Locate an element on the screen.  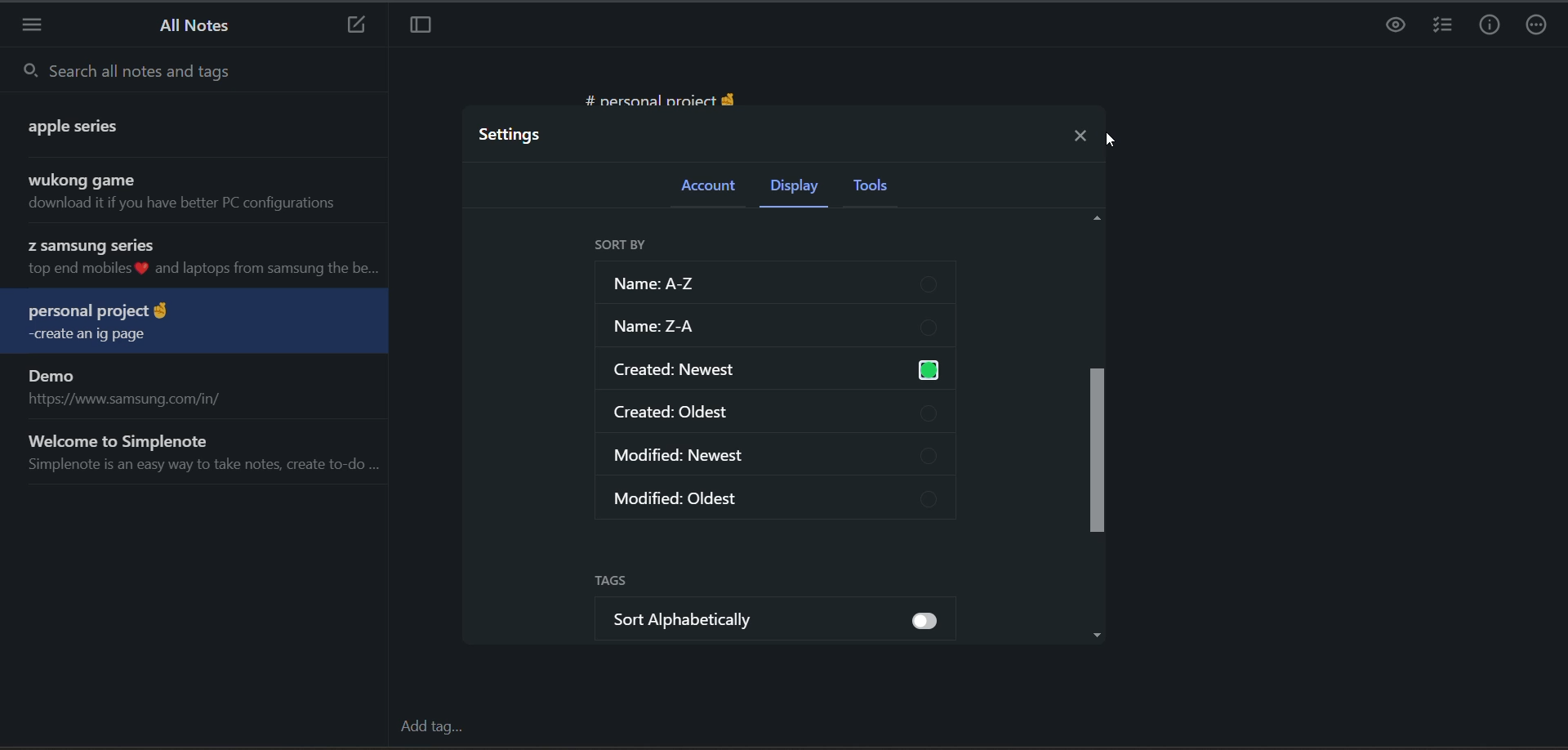
note title and preview sorted in reverse chronological order is located at coordinates (125, 324).